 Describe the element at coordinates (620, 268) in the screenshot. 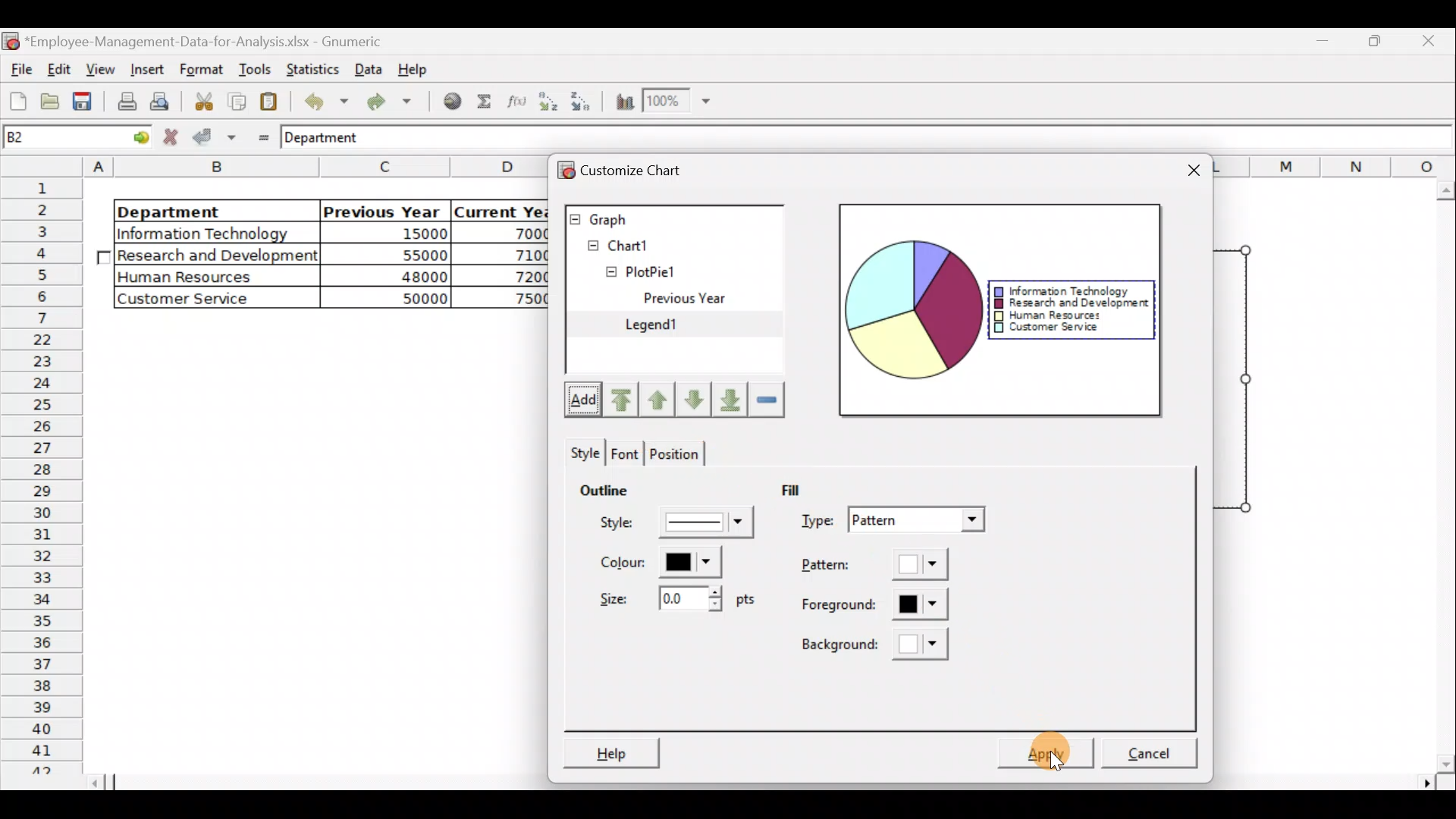

I see `PlotPie1` at that location.